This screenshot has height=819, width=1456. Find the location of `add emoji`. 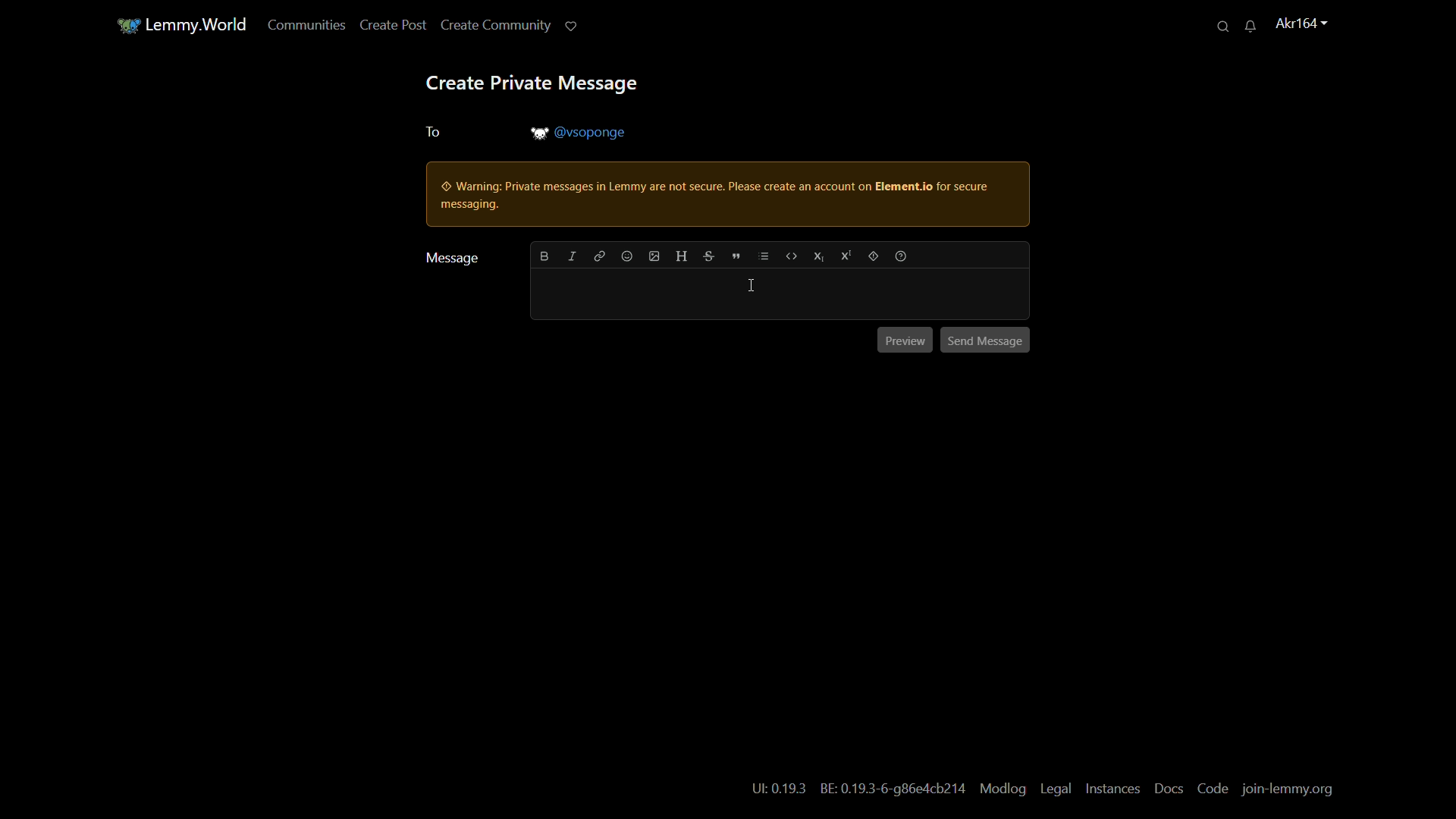

add emoji is located at coordinates (626, 256).